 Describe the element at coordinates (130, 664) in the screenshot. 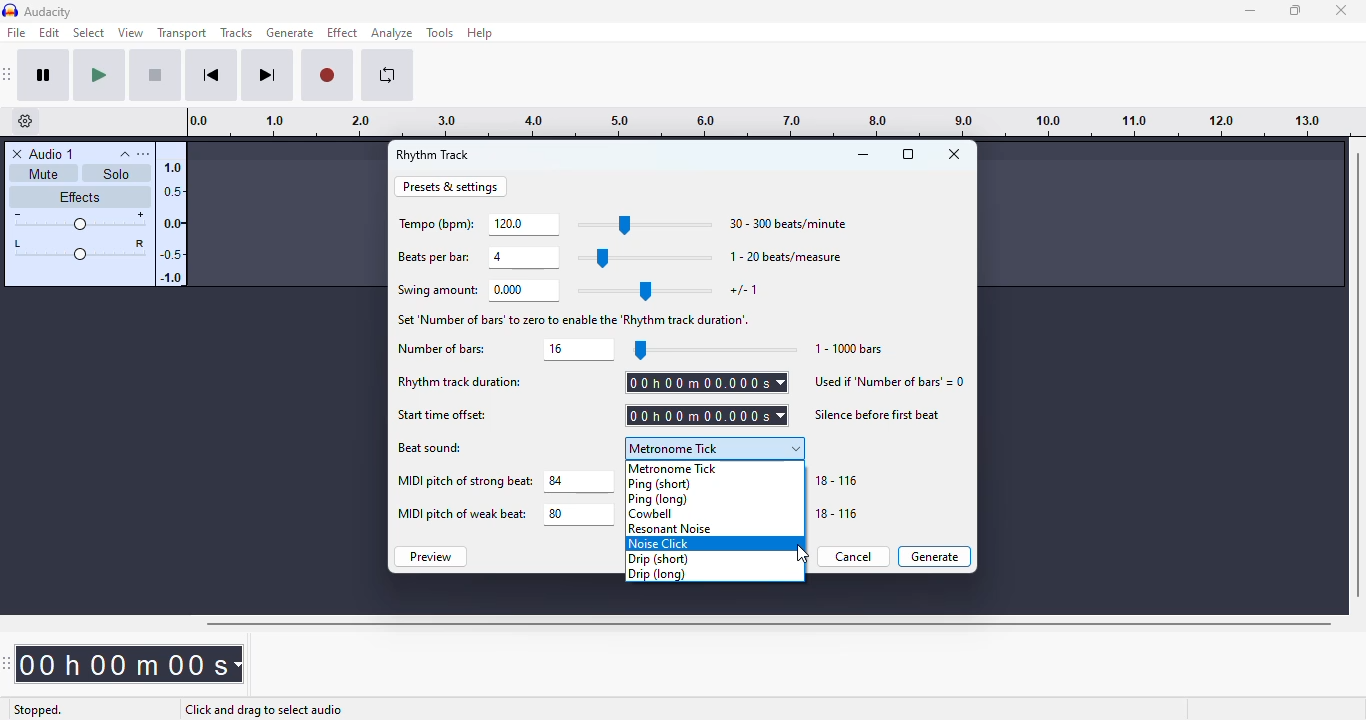

I see `time` at that location.